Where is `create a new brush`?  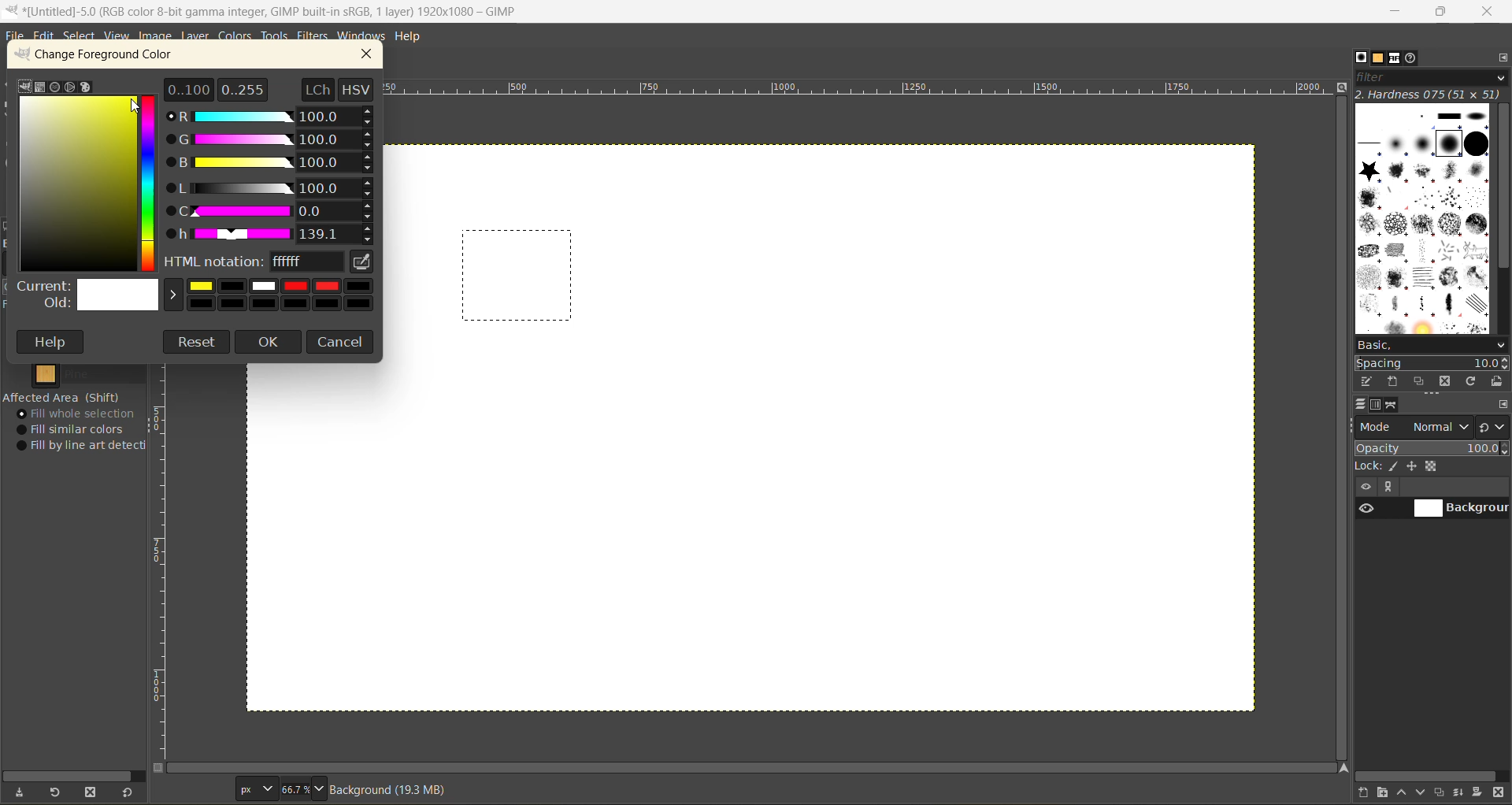 create a new brush is located at coordinates (1395, 380).